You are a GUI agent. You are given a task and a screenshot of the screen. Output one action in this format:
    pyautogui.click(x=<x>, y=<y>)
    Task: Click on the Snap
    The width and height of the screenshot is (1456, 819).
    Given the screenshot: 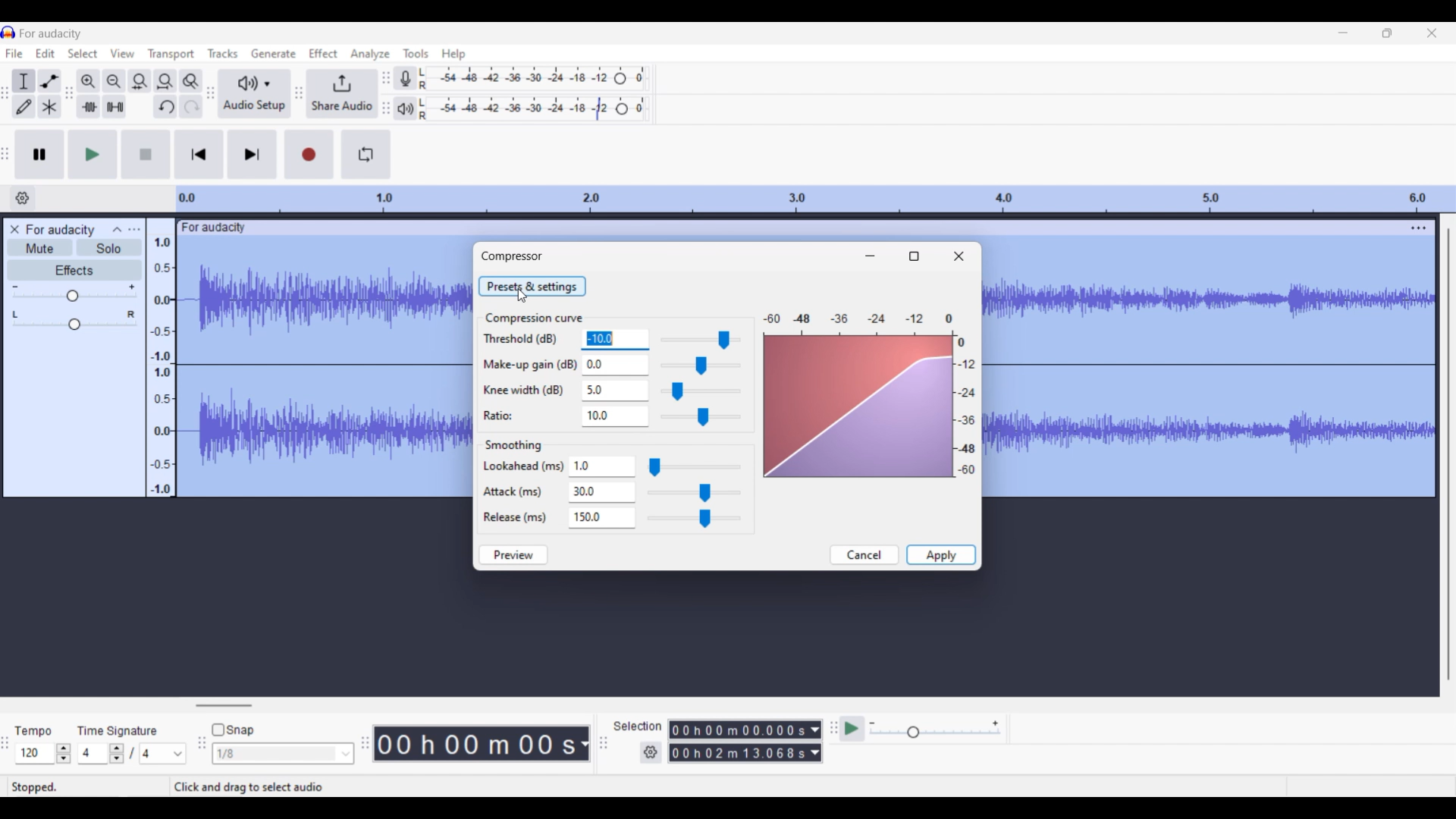 What is the action you would take?
    pyautogui.click(x=233, y=730)
    